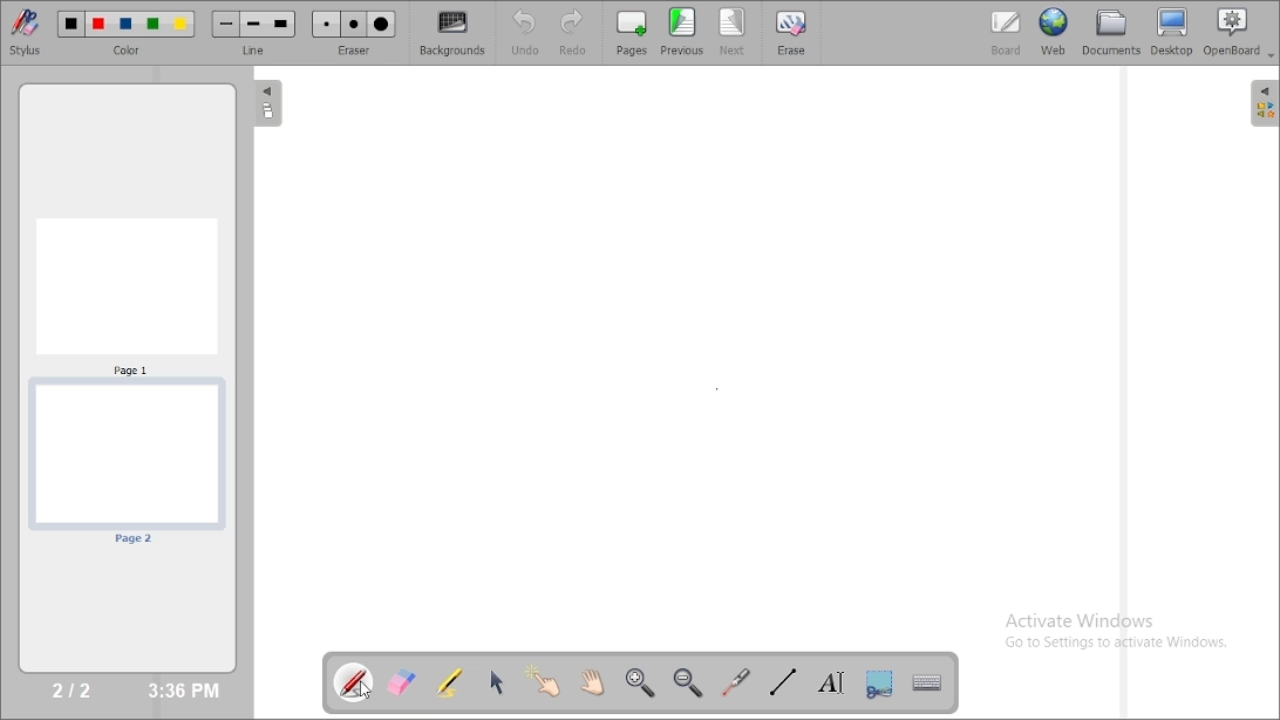 The image size is (1280, 720). Describe the element at coordinates (682, 31) in the screenshot. I see `previous` at that location.